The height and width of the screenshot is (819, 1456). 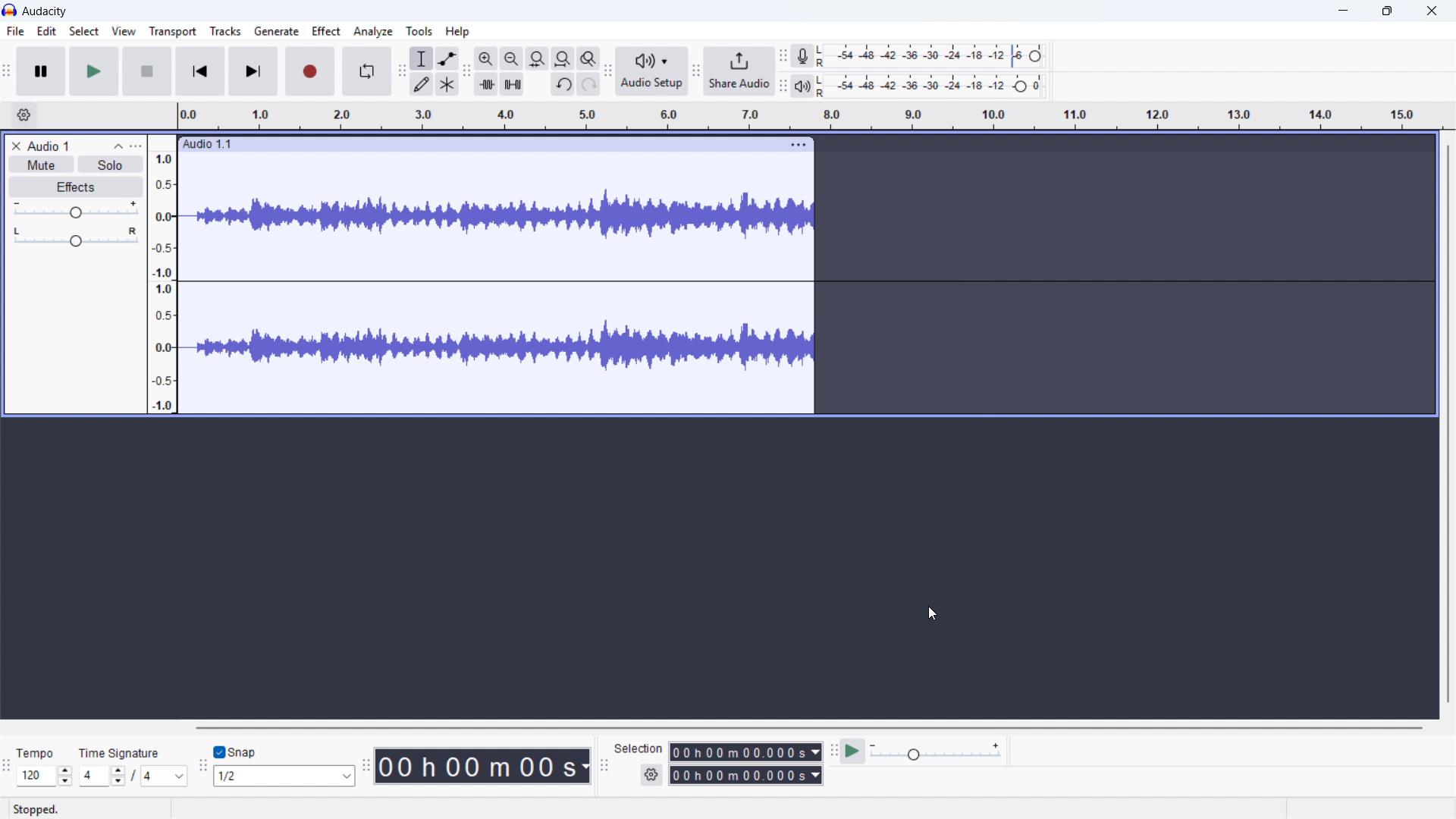 I want to click on Analyse , so click(x=372, y=31).